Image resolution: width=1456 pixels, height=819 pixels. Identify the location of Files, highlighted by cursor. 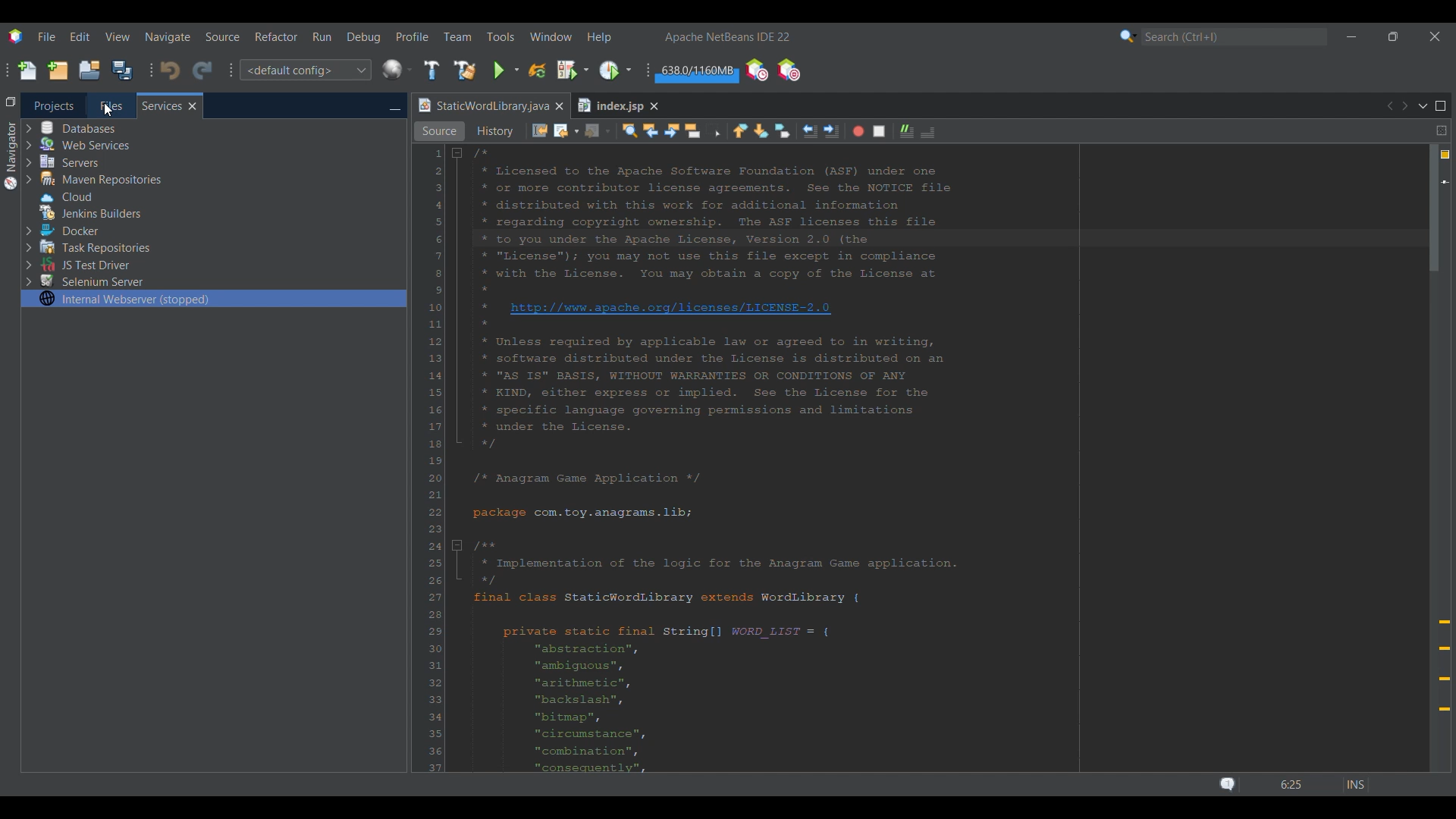
(111, 105).